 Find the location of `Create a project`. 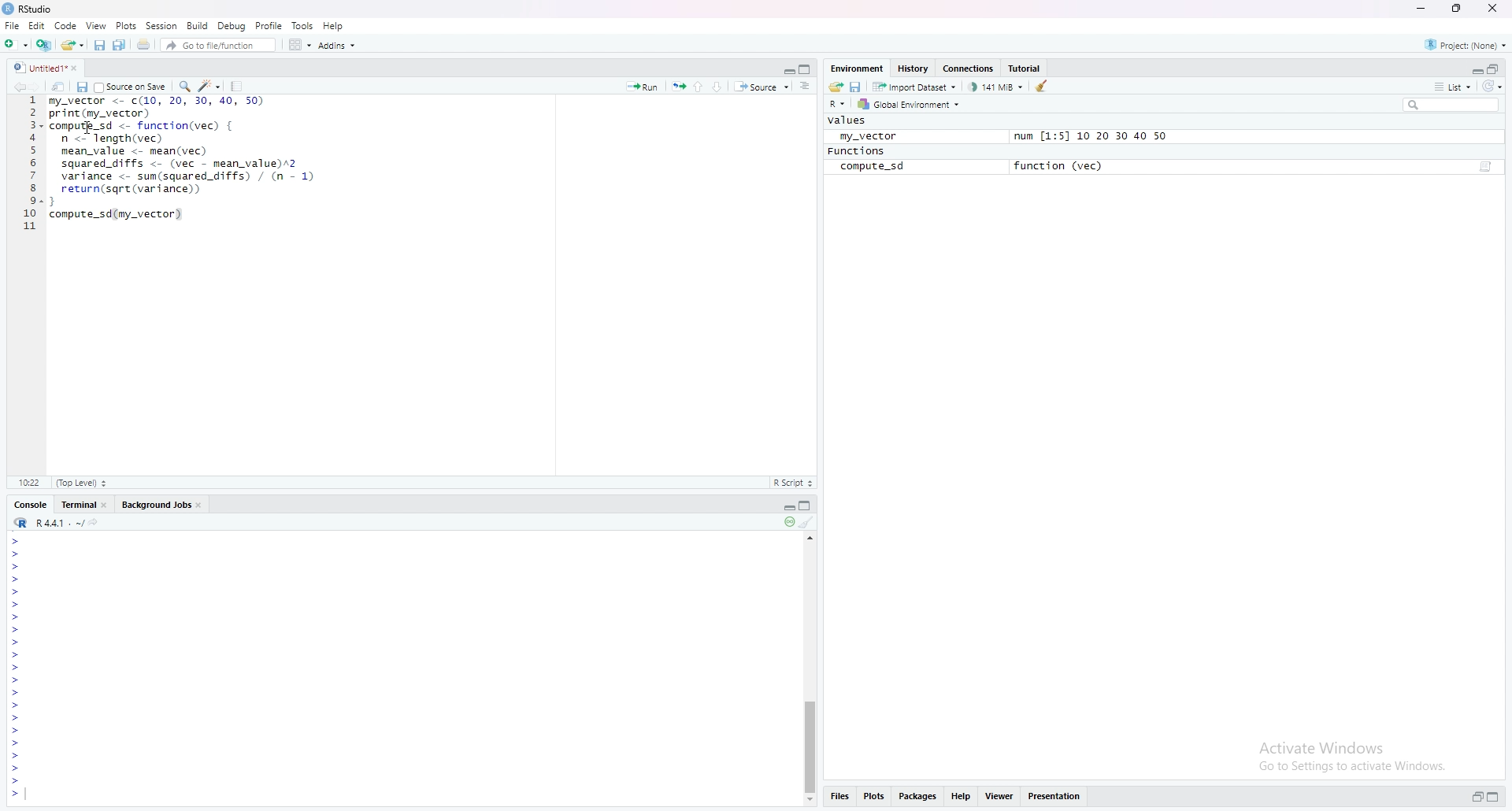

Create a project is located at coordinates (43, 43).